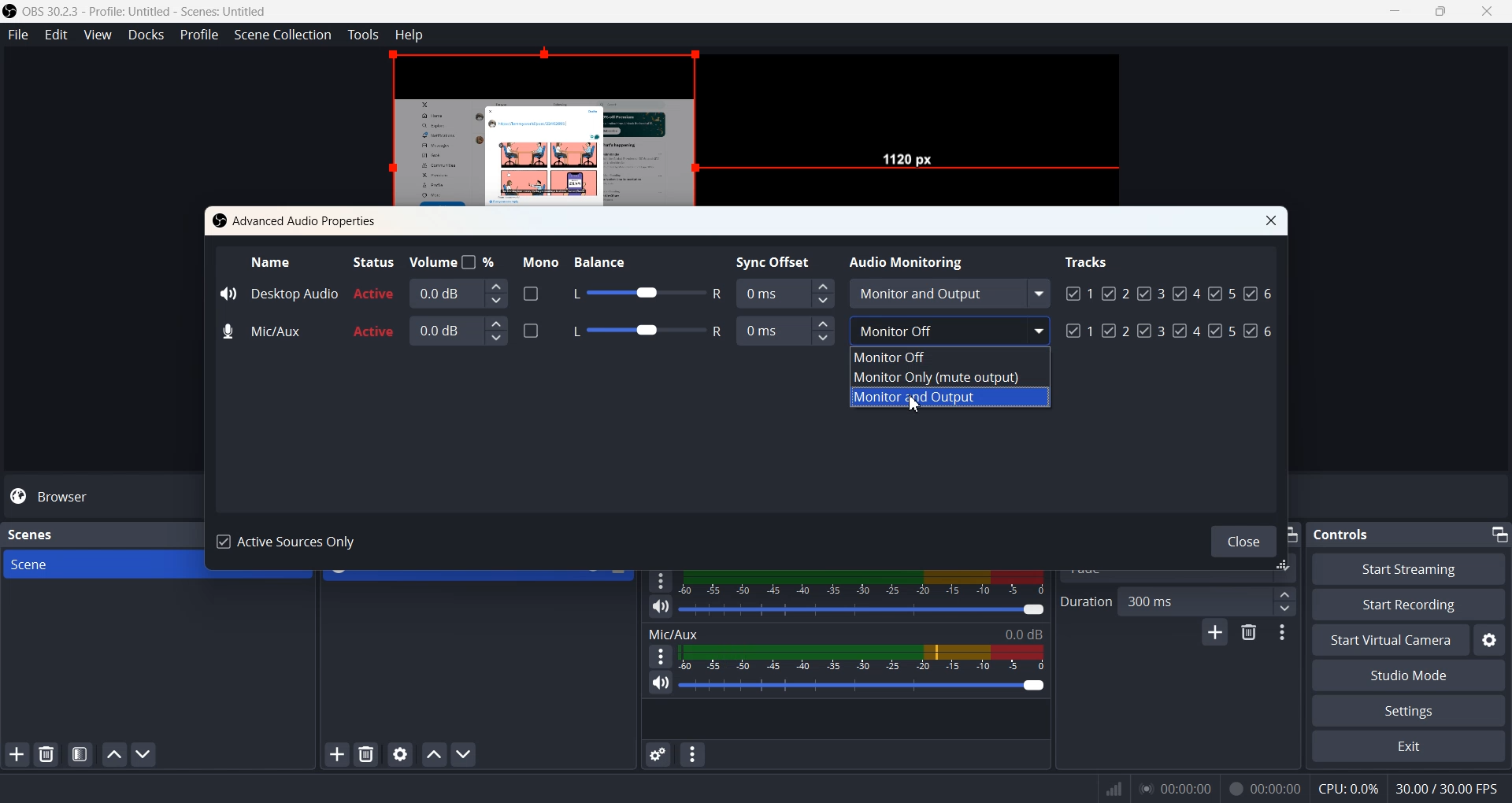  I want to click on Mute / Unmute, so click(661, 683).